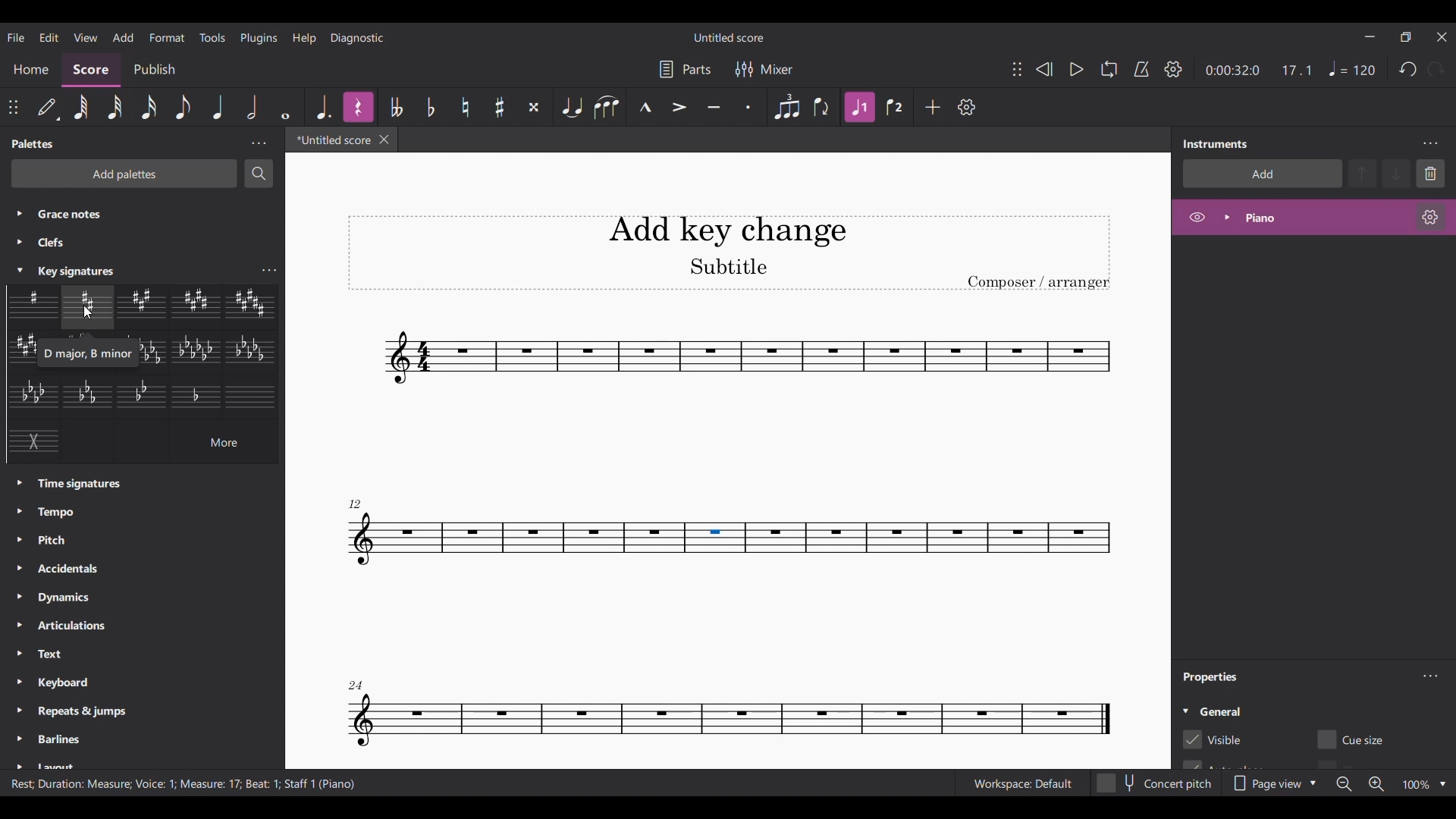 This screenshot has width=1456, height=819. What do you see at coordinates (149, 620) in the screenshot?
I see `Palettes listed under all Palettes` at bounding box center [149, 620].